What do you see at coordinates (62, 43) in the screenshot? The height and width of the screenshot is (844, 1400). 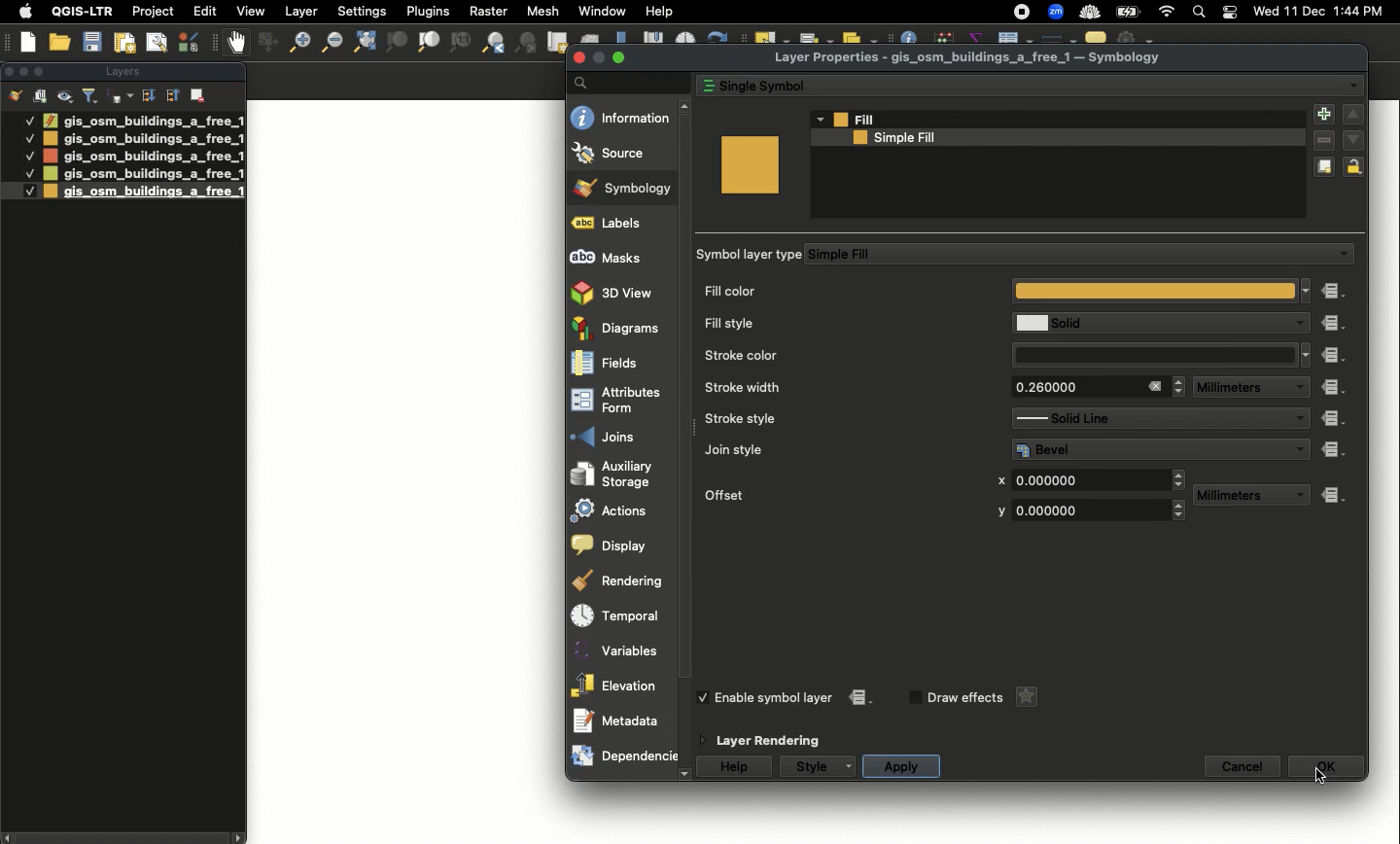 I see `Open` at bounding box center [62, 43].